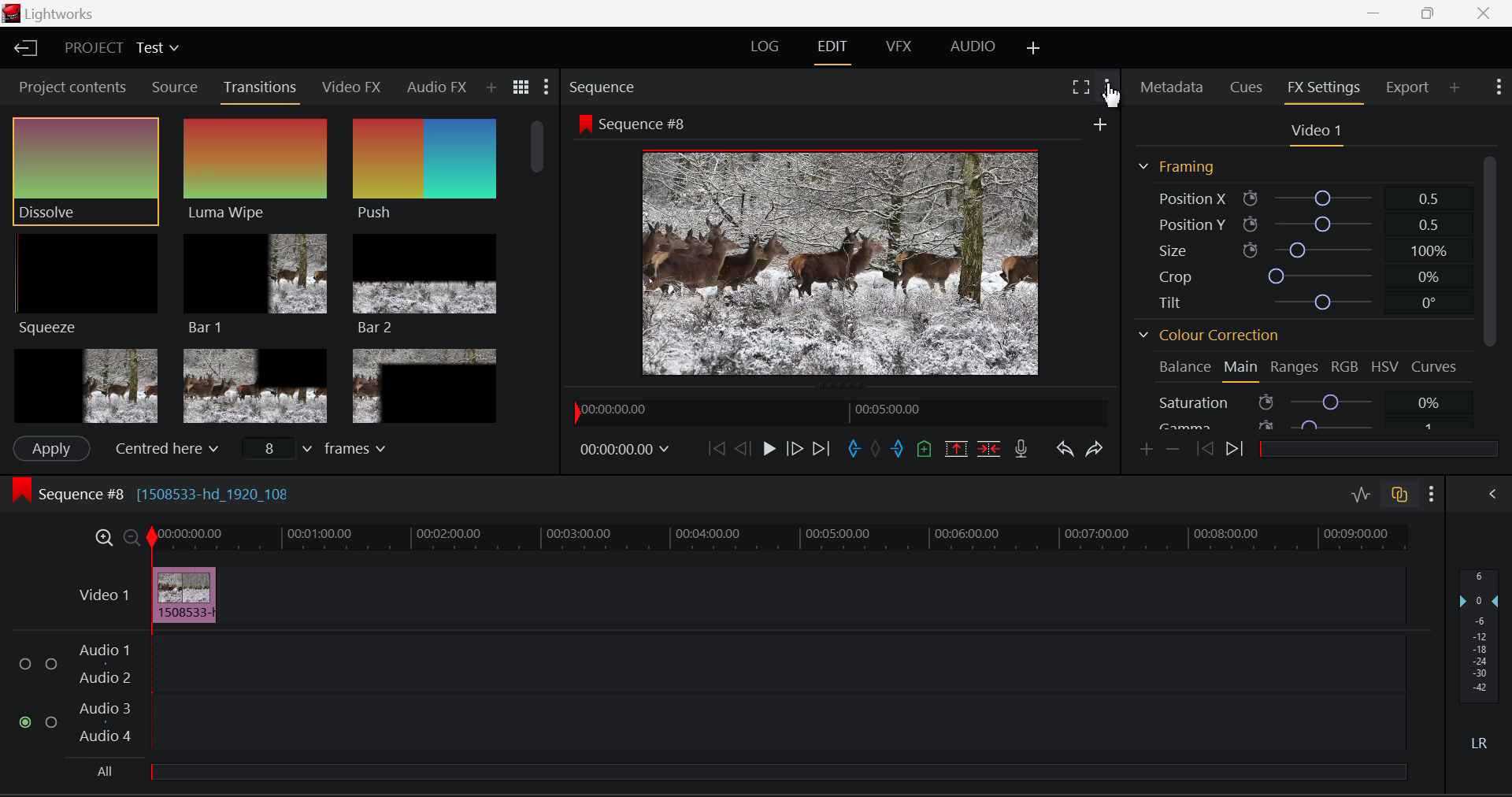 The width and height of the screenshot is (1512, 797). What do you see at coordinates (425, 286) in the screenshot?
I see `Bar 2` at bounding box center [425, 286].